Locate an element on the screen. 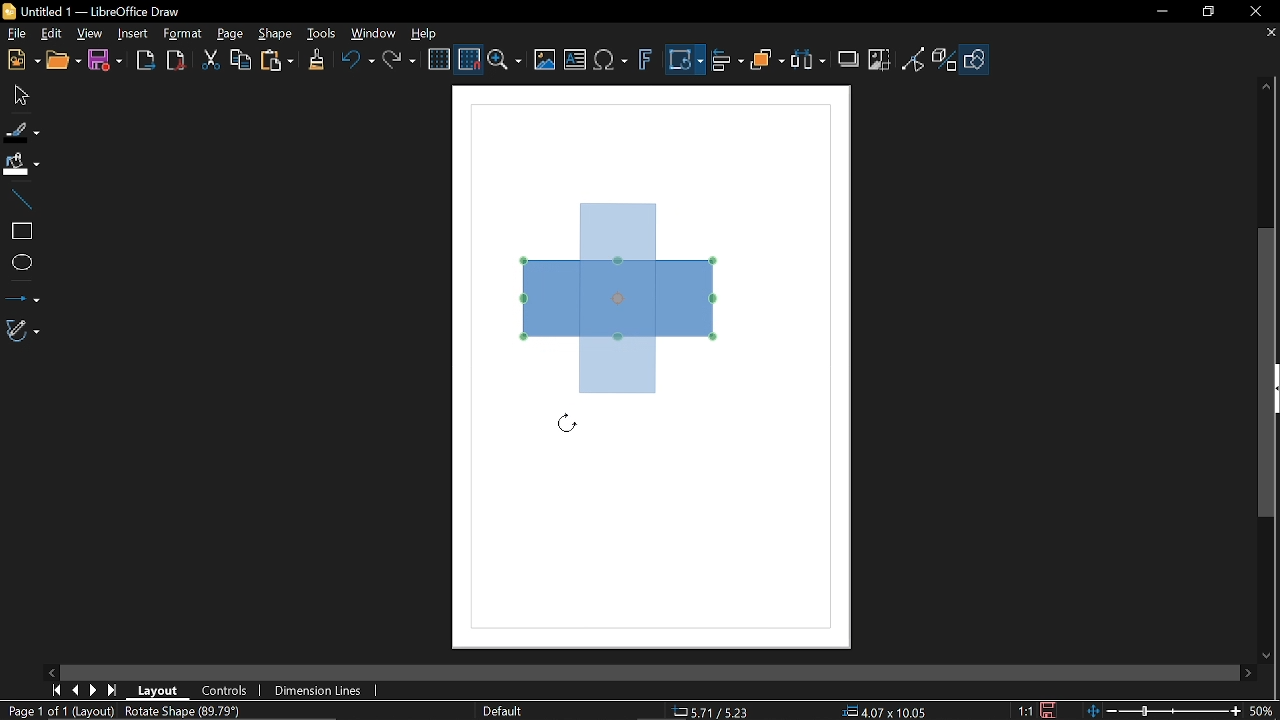 The height and width of the screenshot is (720, 1280). Window is located at coordinates (370, 35).